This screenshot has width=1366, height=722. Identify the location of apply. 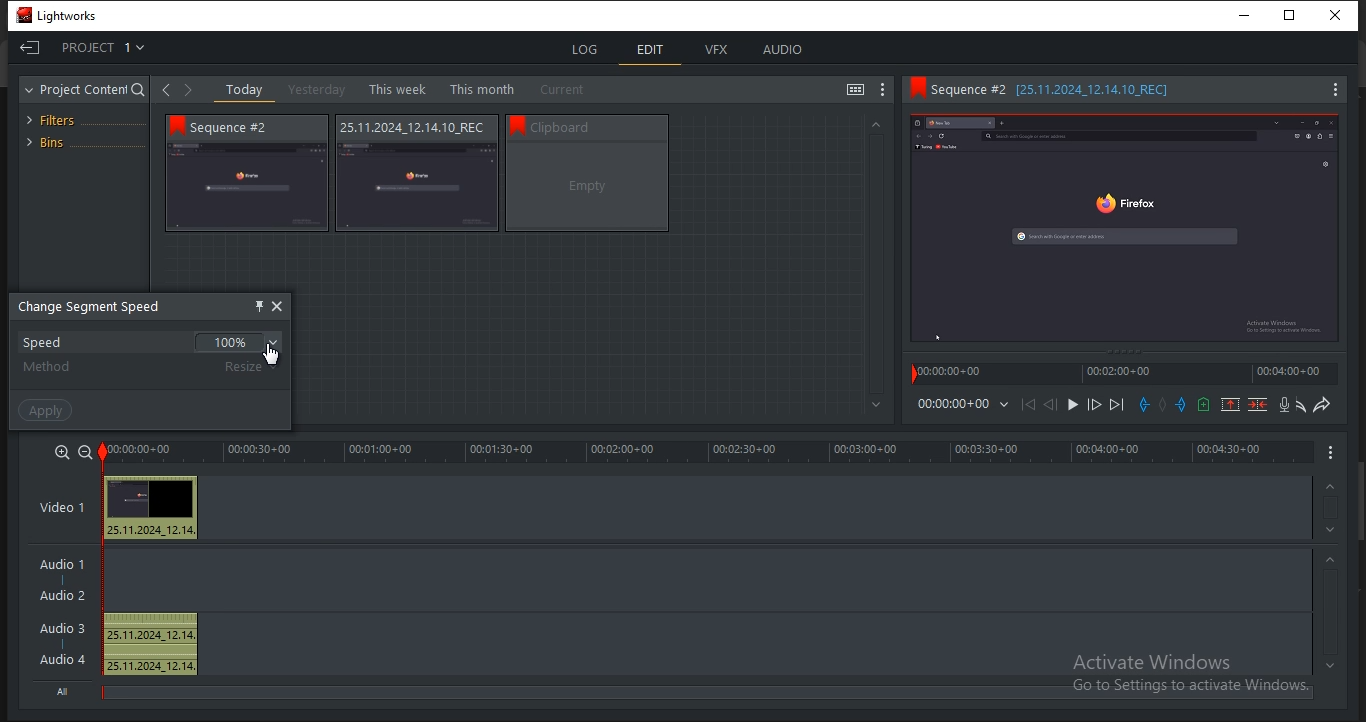
(47, 409).